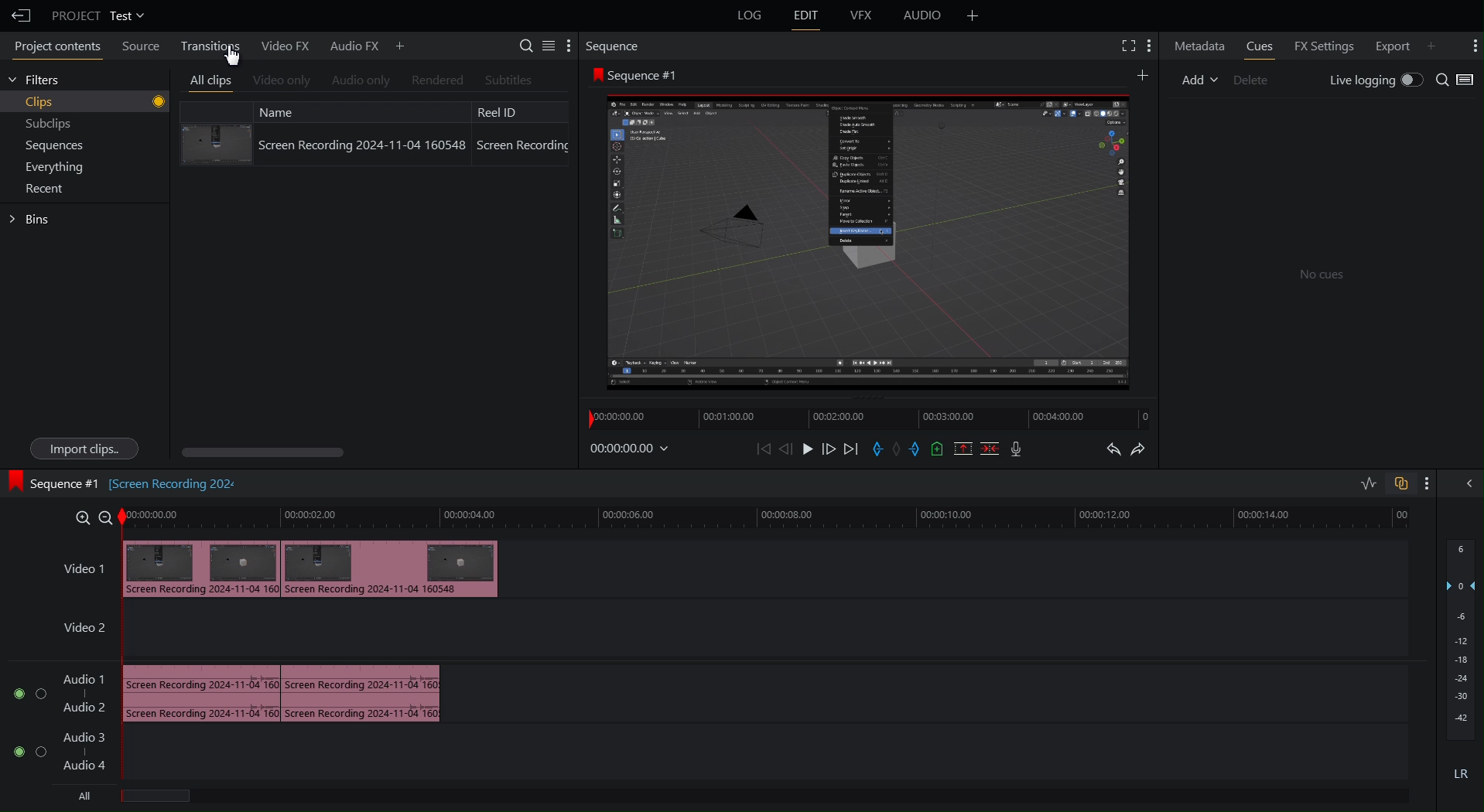  I want to click on Edit, so click(809, 16).